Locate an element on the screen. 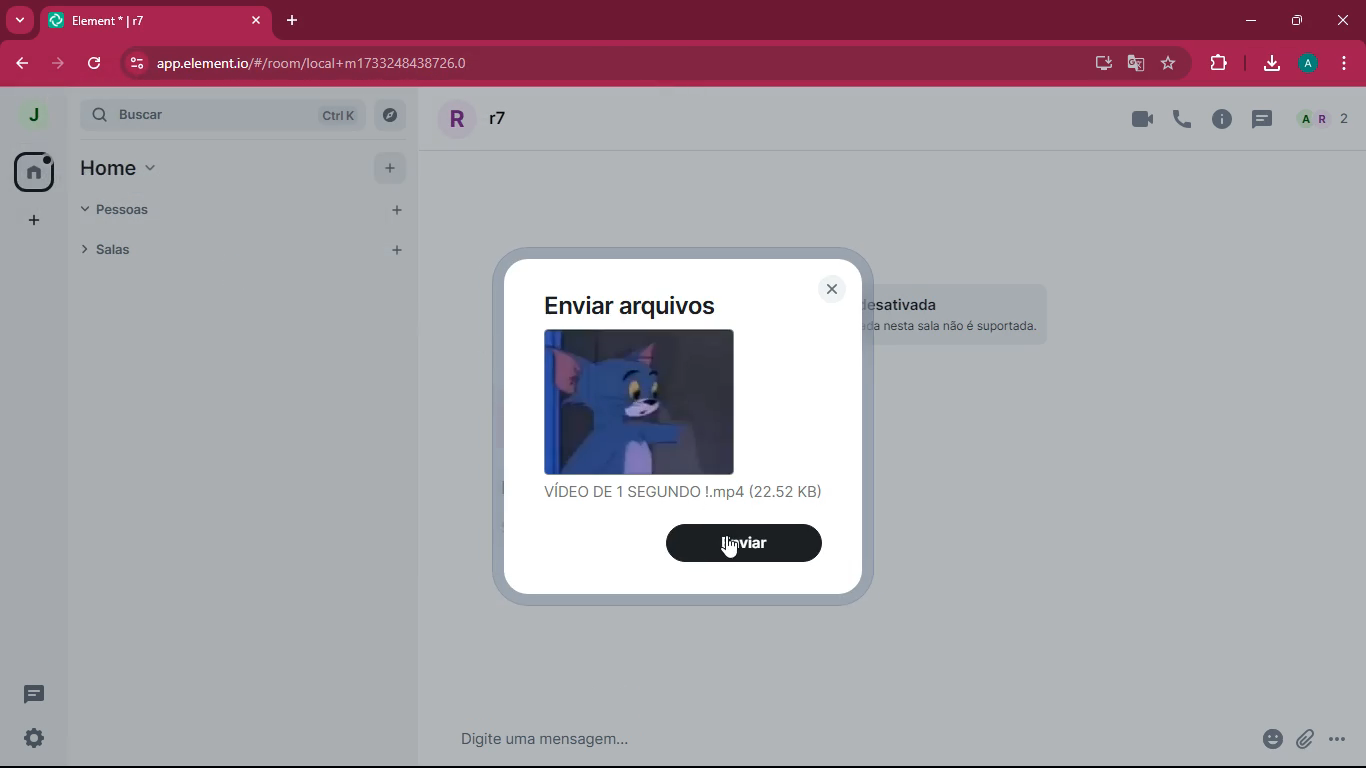 The width and height of the screenshot is (1366, 768). favorite is located at coordinates (1169, 64).